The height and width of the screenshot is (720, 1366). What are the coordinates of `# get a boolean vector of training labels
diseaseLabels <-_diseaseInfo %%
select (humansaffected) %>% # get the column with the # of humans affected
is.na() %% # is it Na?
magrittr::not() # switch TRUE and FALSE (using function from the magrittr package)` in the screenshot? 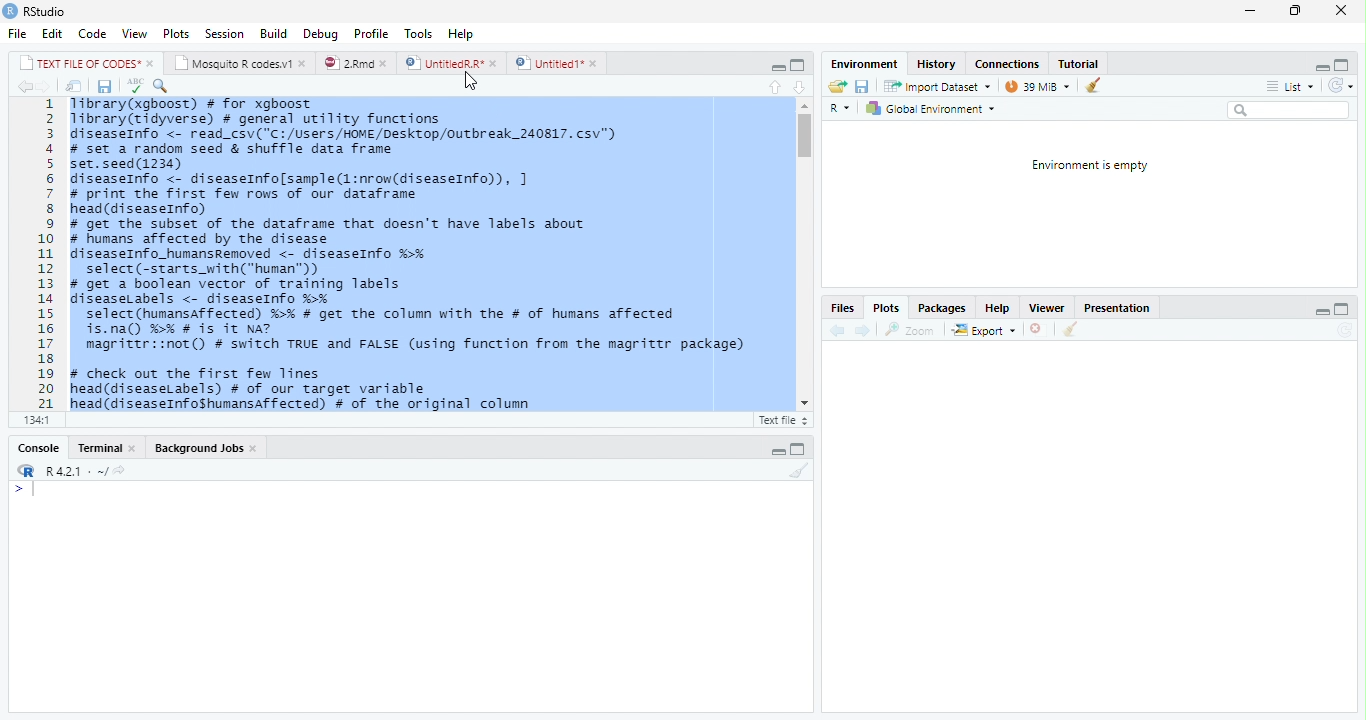 It's located at (411, 318).